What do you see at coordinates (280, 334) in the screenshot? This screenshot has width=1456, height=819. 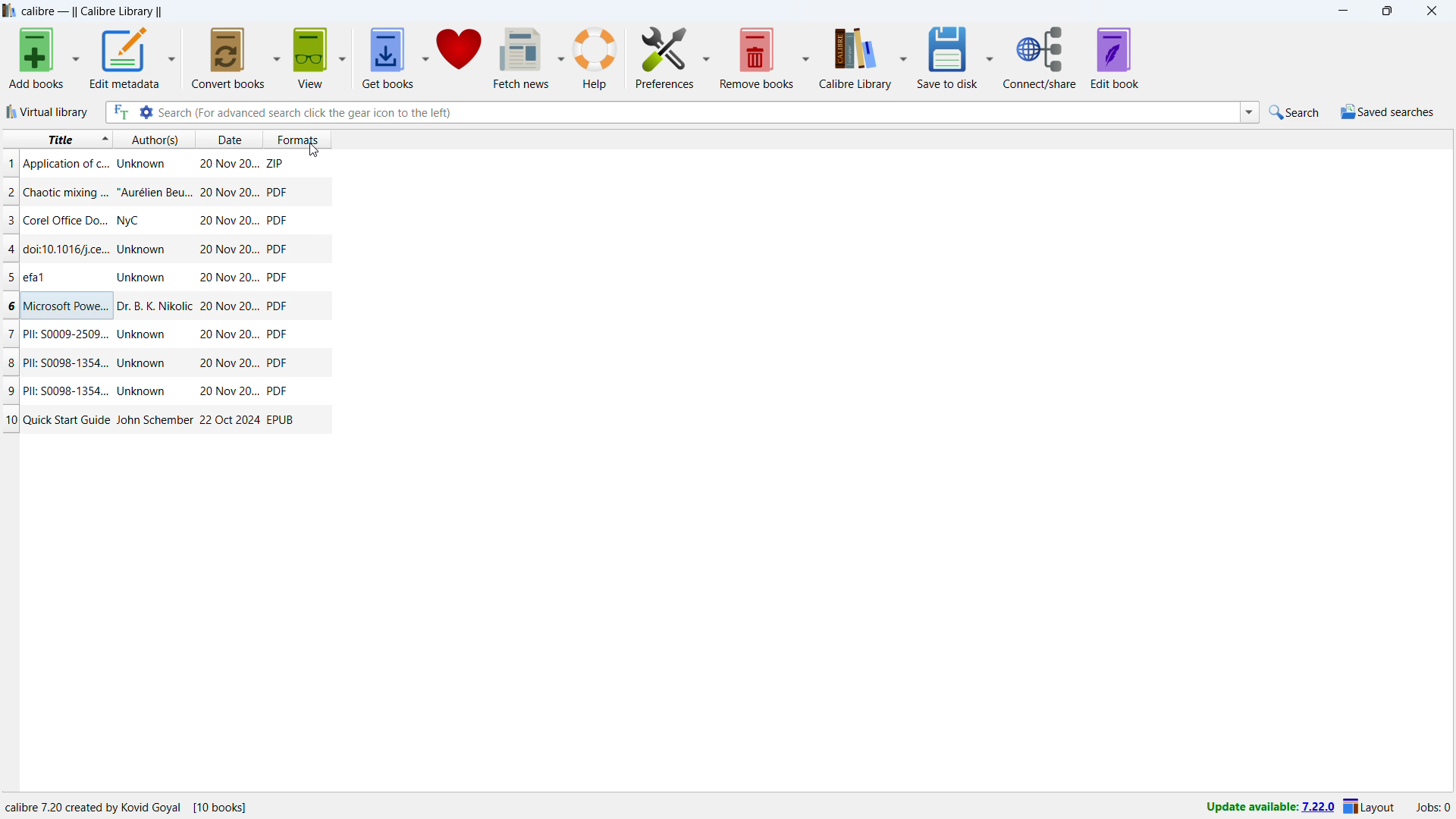 I see `PDF` at bounding box center [280, 334].